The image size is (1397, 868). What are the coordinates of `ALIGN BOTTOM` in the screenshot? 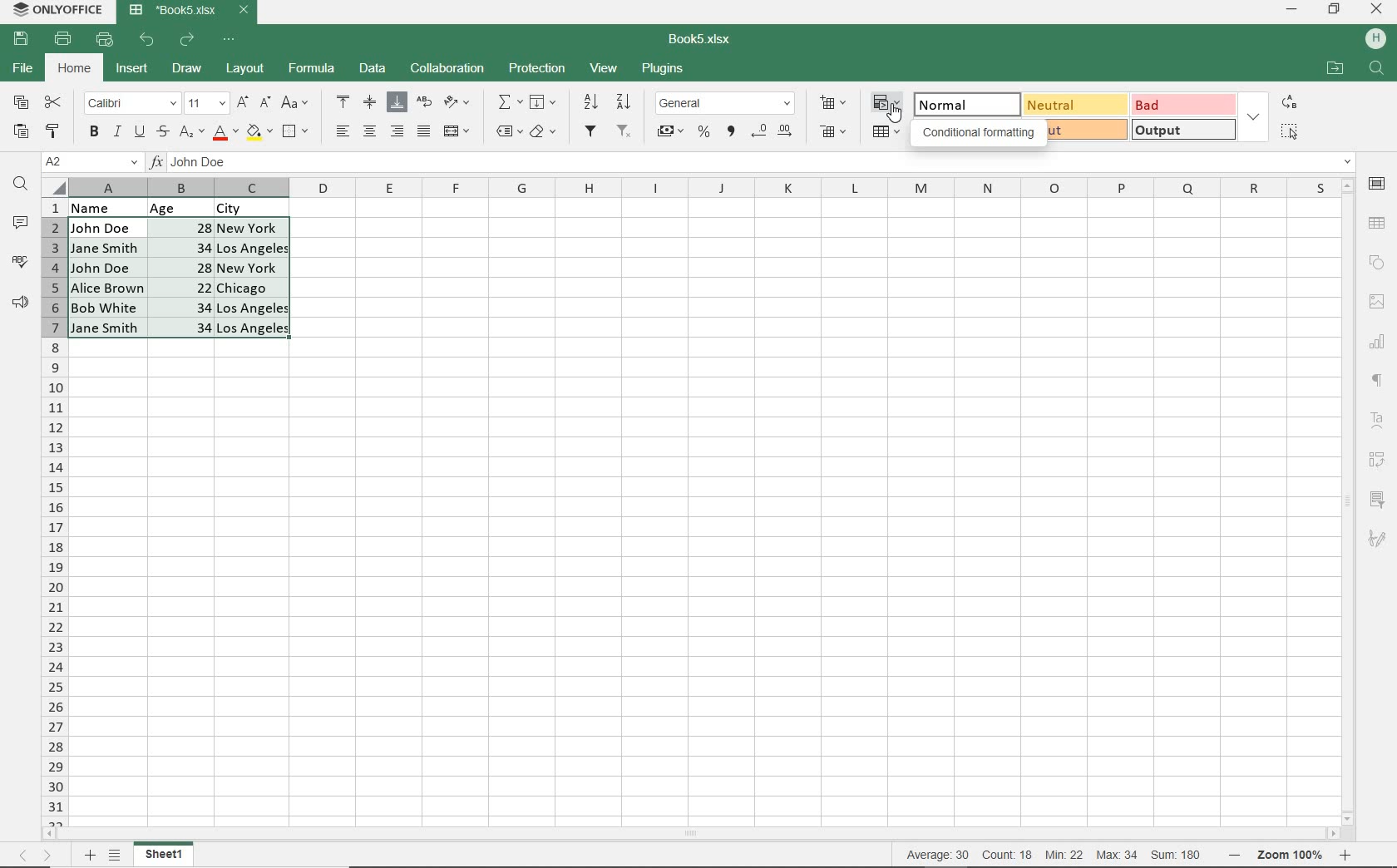 It's located at (397, 102).